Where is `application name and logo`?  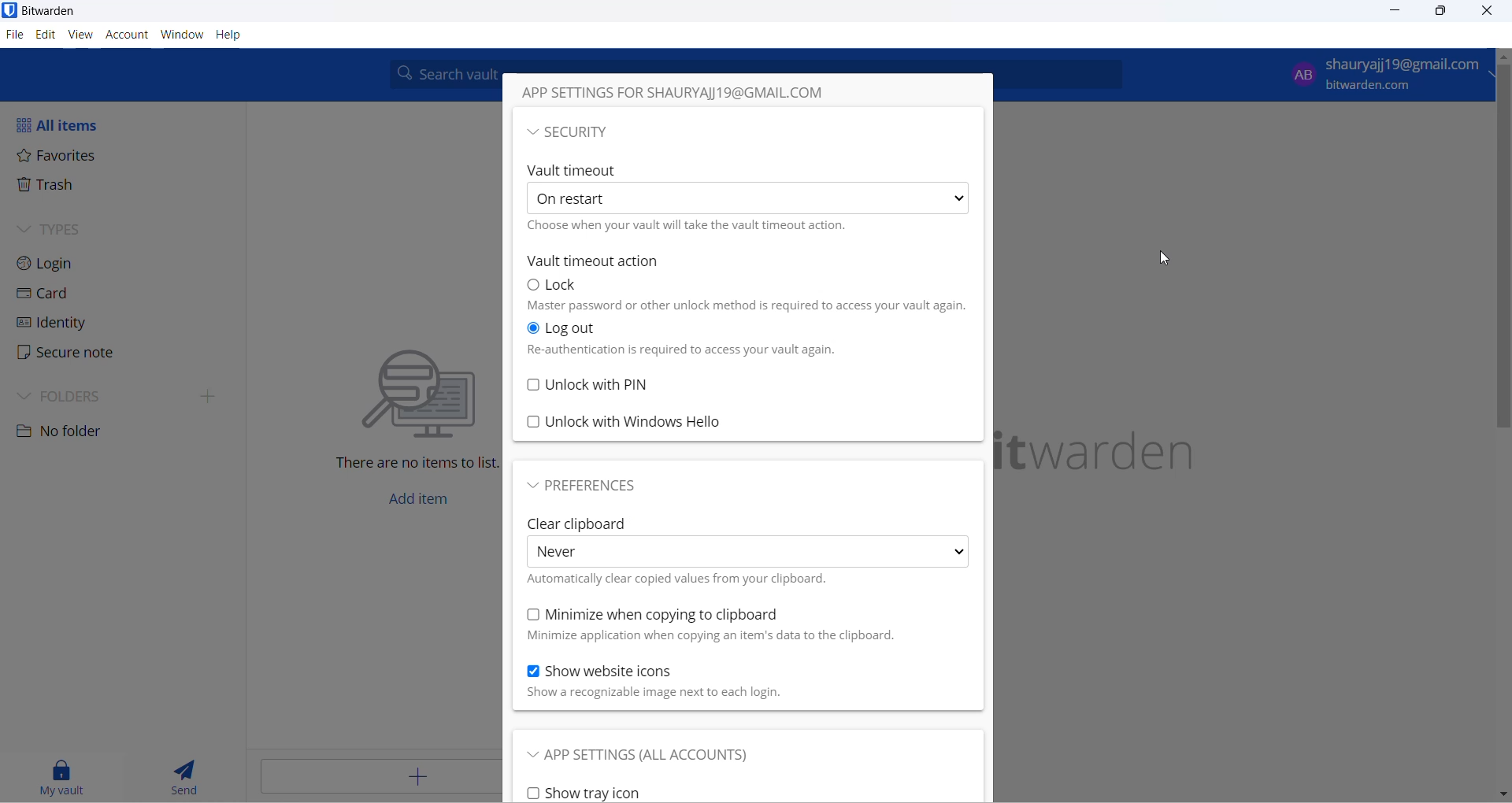 application name and logo is located at coordinates (46, 9).